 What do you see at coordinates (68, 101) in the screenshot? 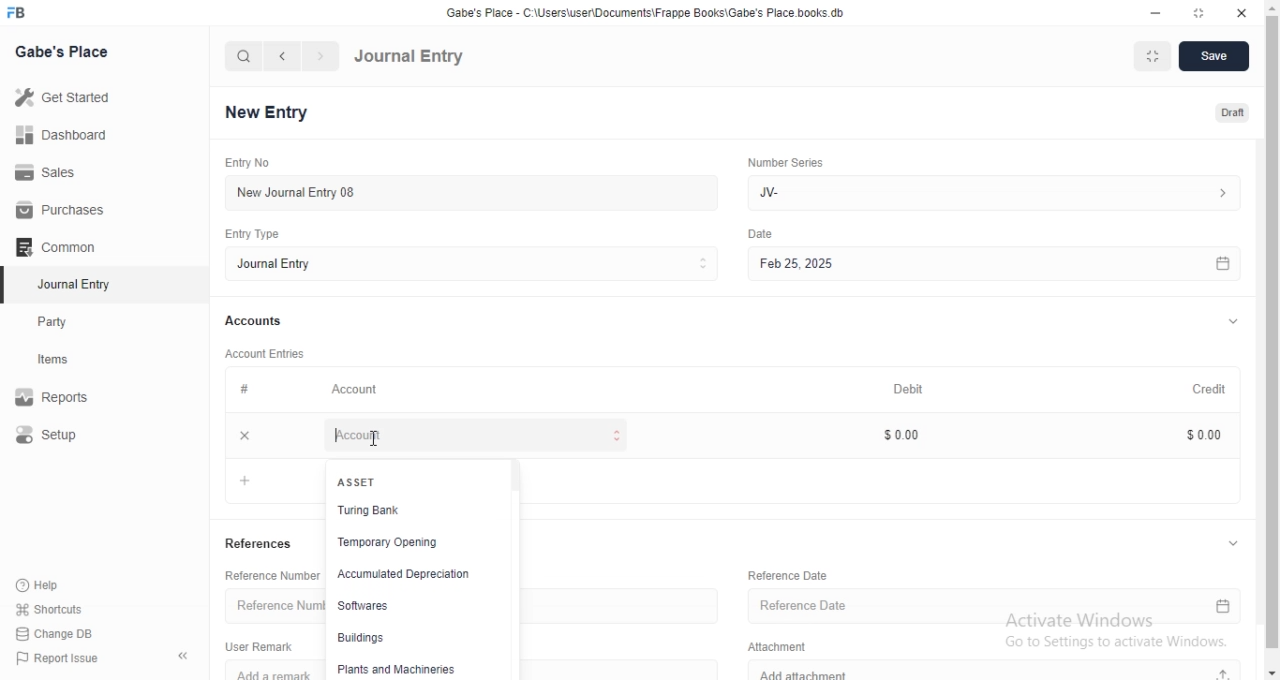
I see `Get Started` at bounding box center [68, 101].